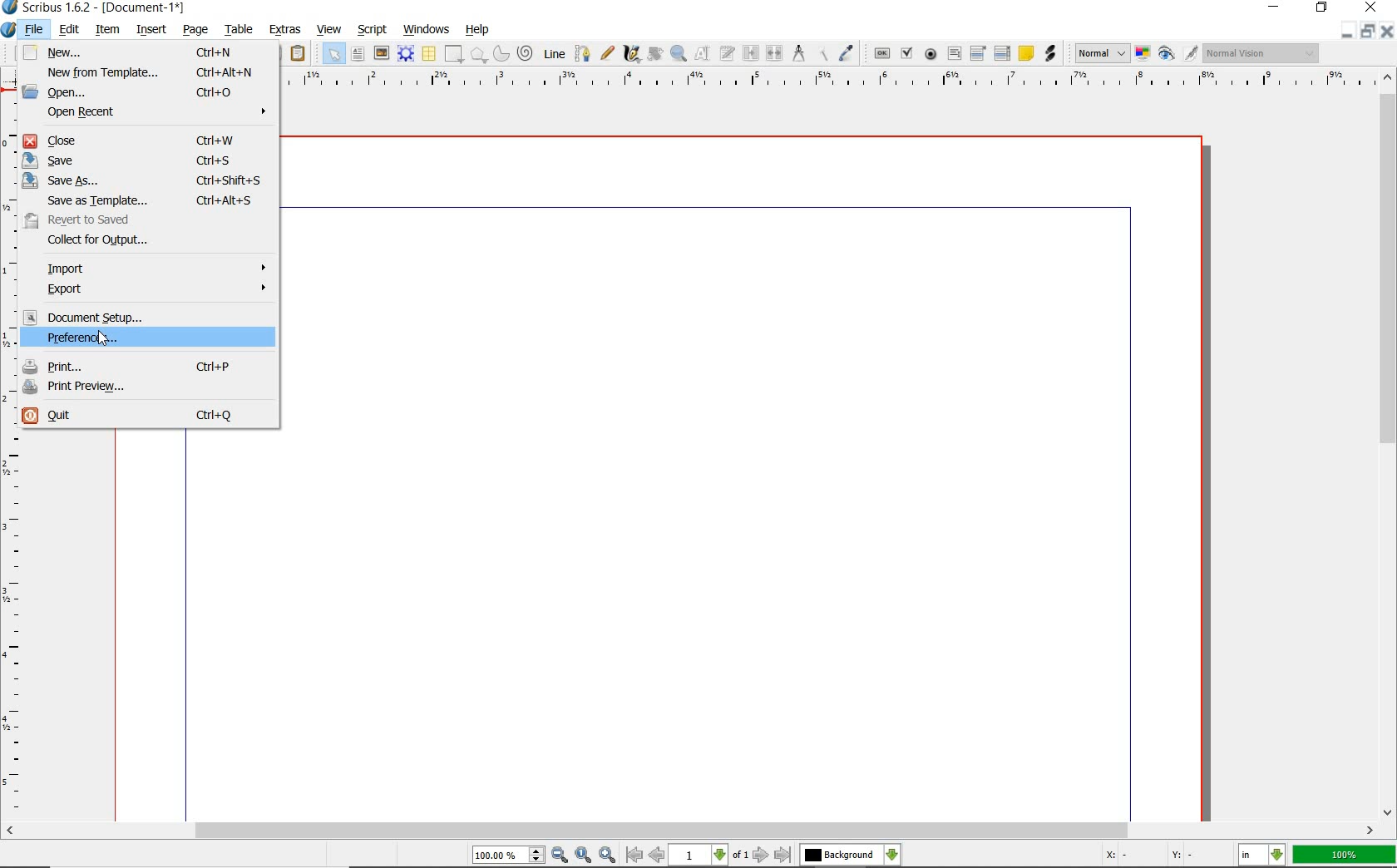 The height and width of the screenshot is (868, 1397). What do you see at coordinates (1369, 33) in the screenshot?
I see `restore` at bounding box center [1369, 33].